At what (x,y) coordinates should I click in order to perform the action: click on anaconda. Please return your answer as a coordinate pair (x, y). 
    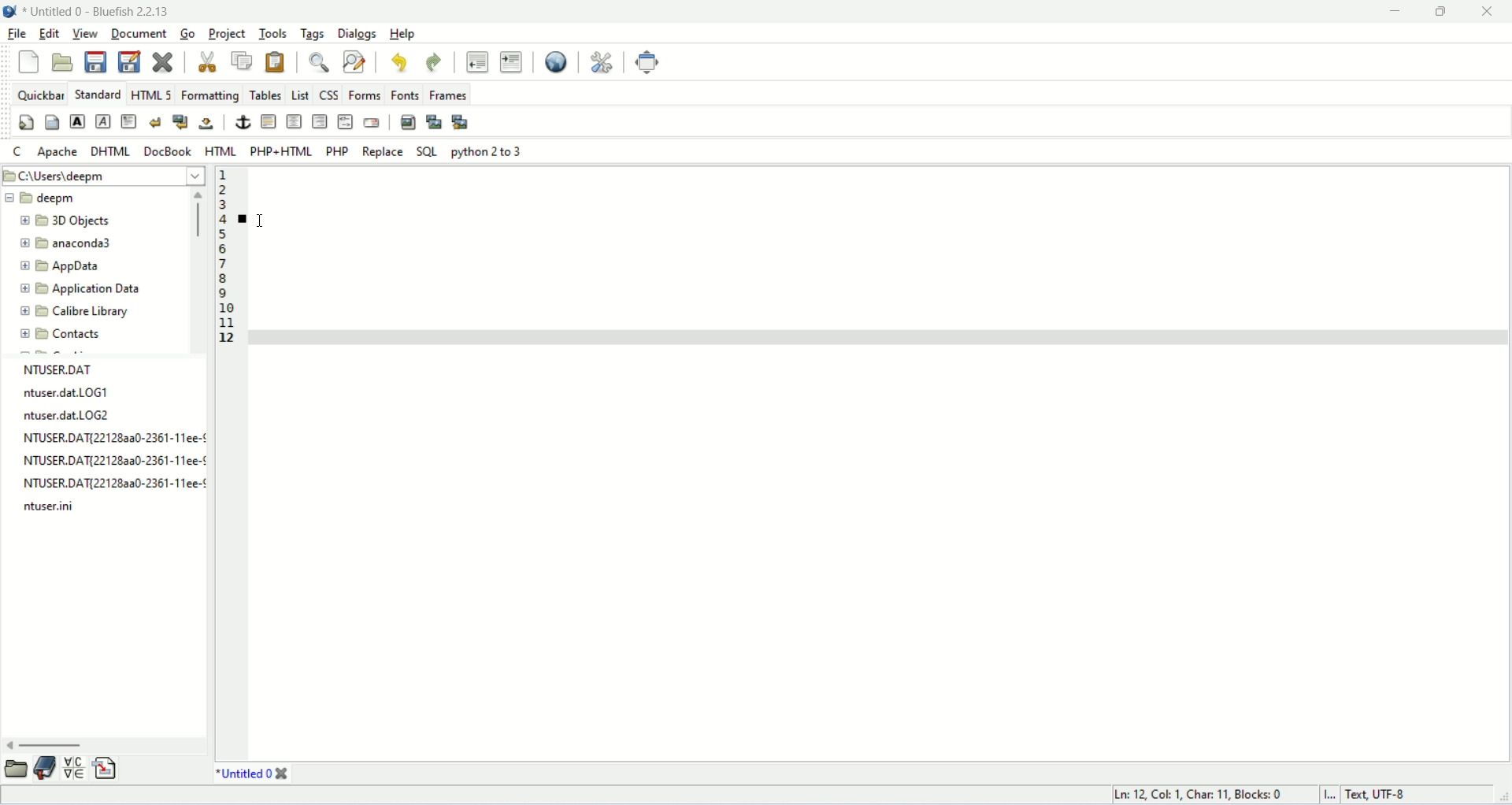
    Looking at the image, I should click on (71, 243).